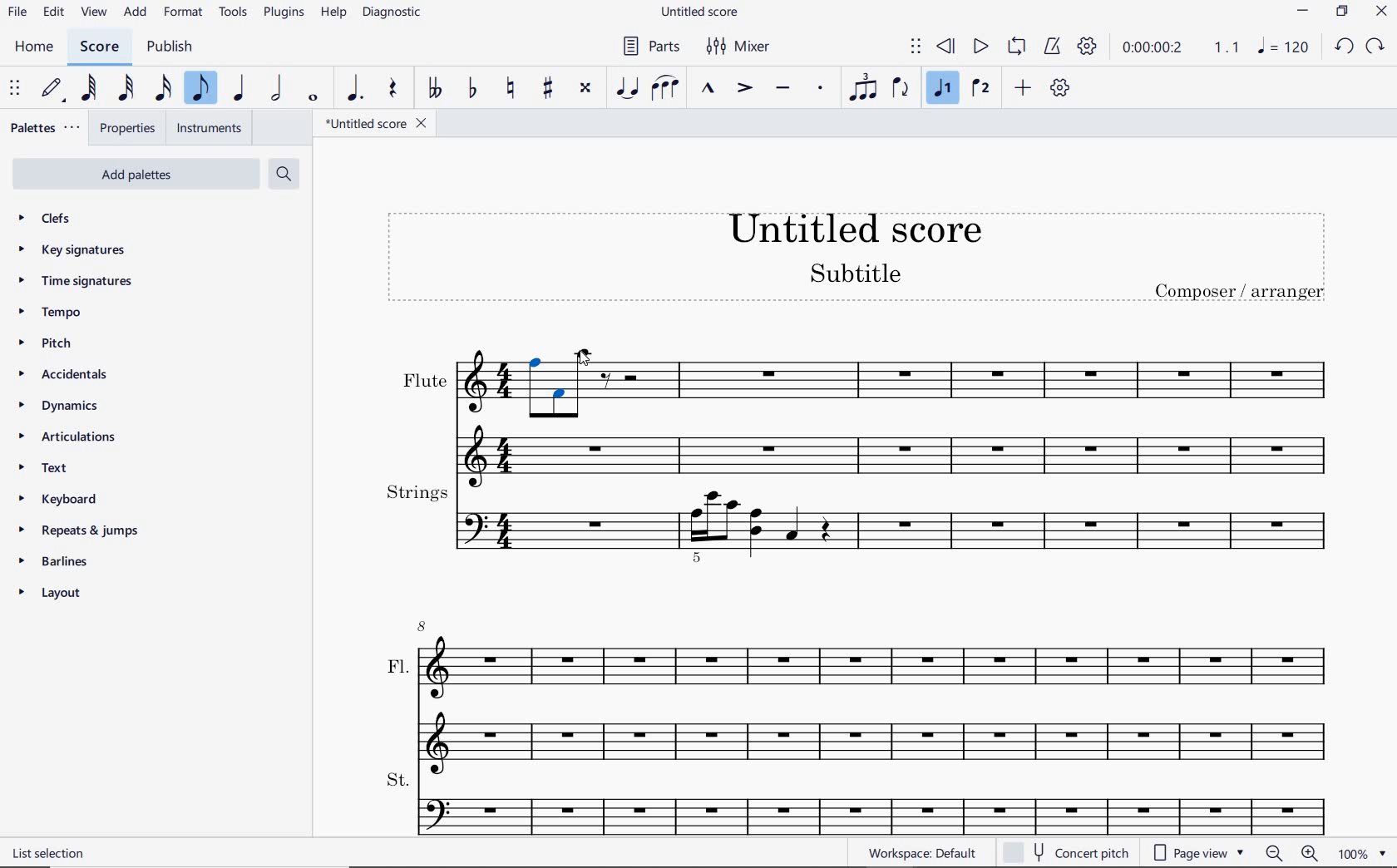  I want to click on undo, so click(1345, 47).